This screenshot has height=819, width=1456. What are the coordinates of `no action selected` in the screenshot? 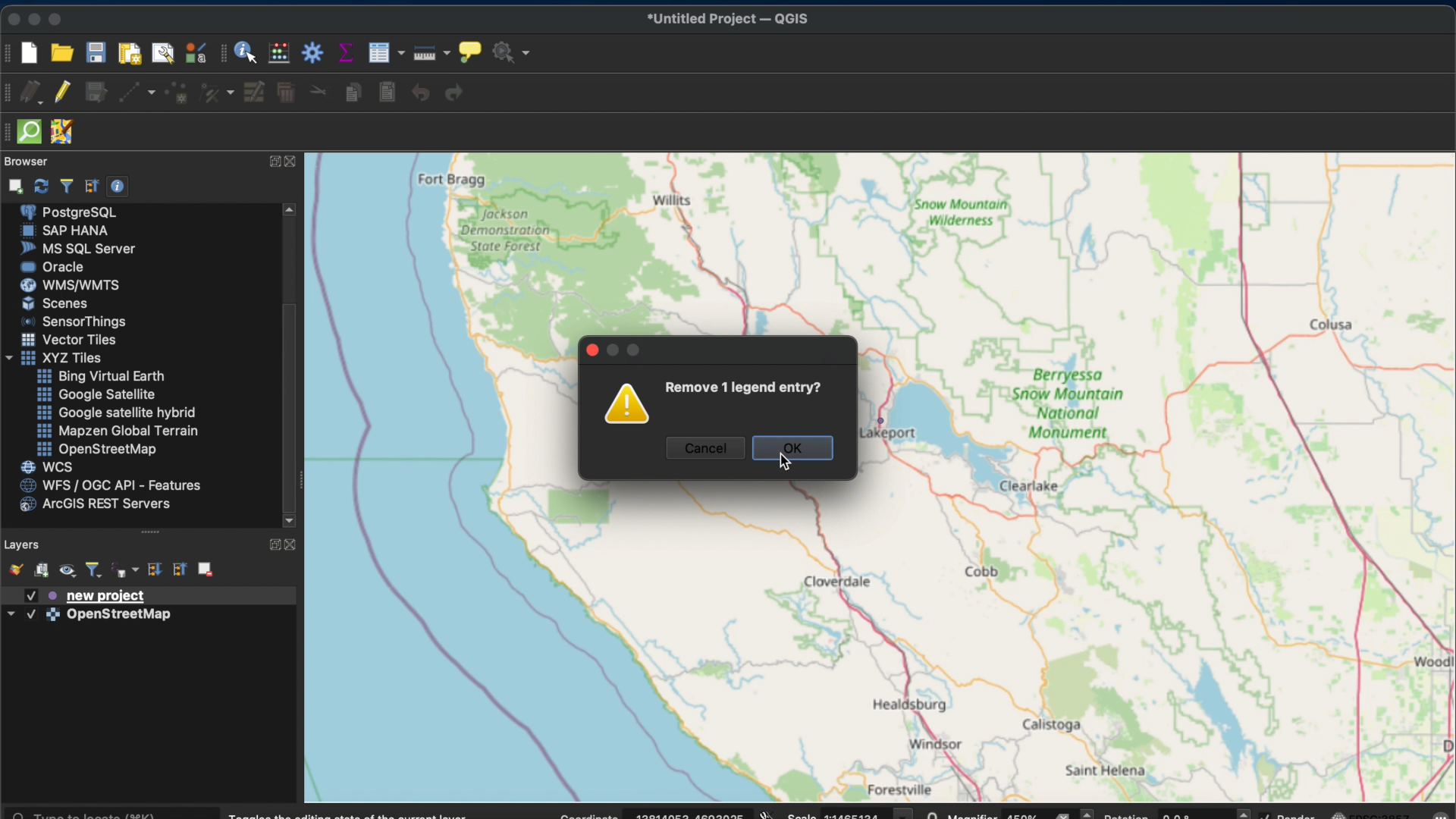 It's located at (512, 52).